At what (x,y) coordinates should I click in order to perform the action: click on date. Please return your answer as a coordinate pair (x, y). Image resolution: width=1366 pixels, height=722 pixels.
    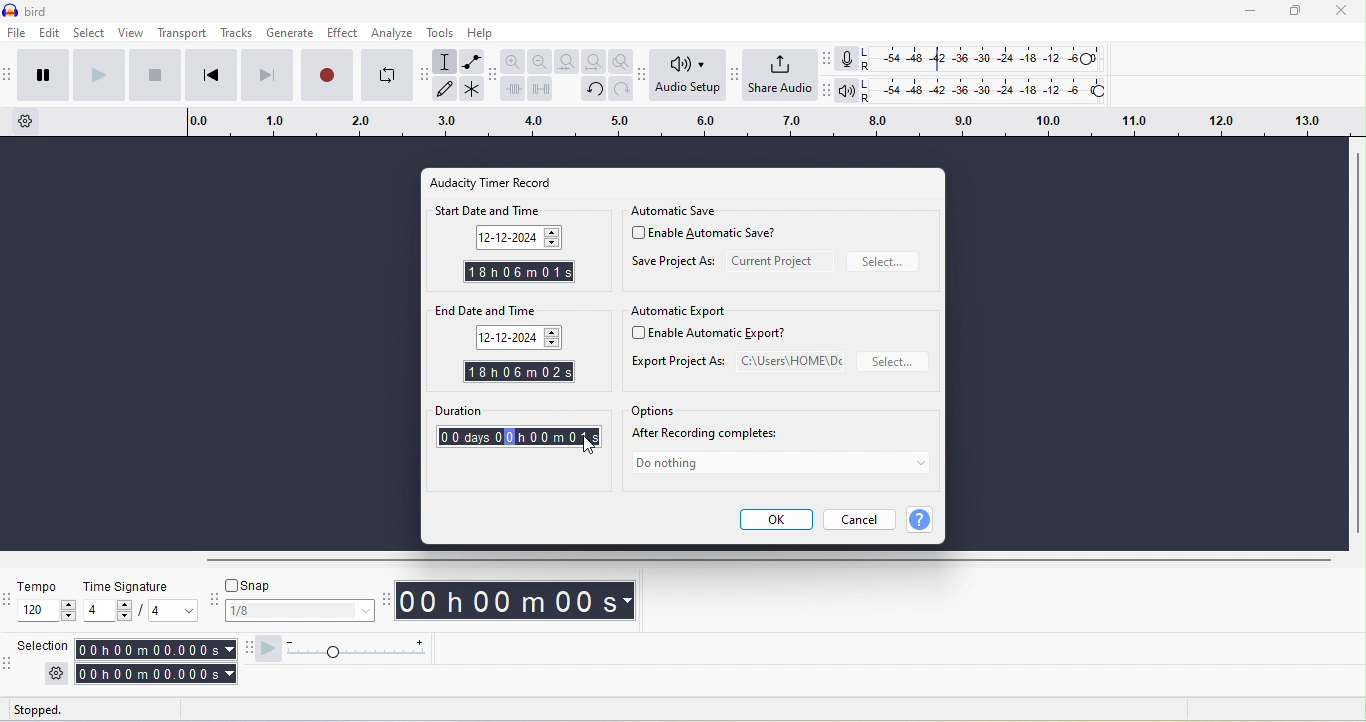
    Looking at the image, I should click on (522, 237).